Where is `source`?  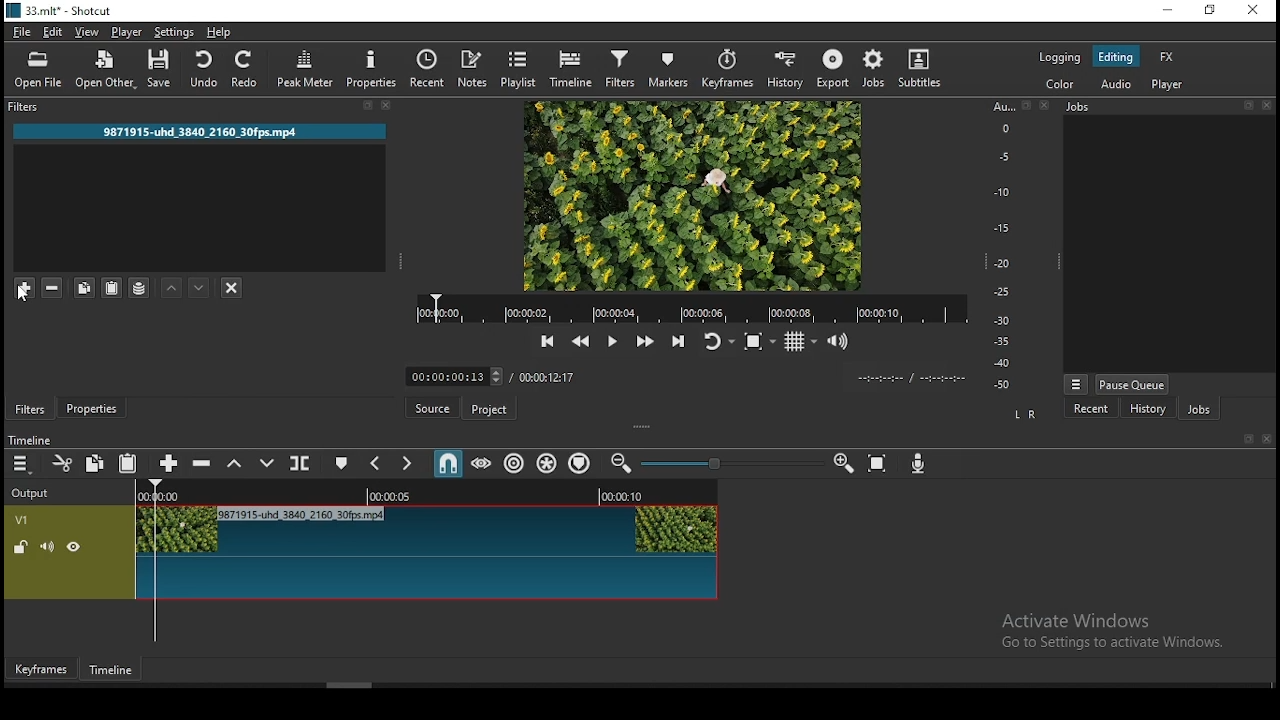 source is located at coordinates (439, 408).